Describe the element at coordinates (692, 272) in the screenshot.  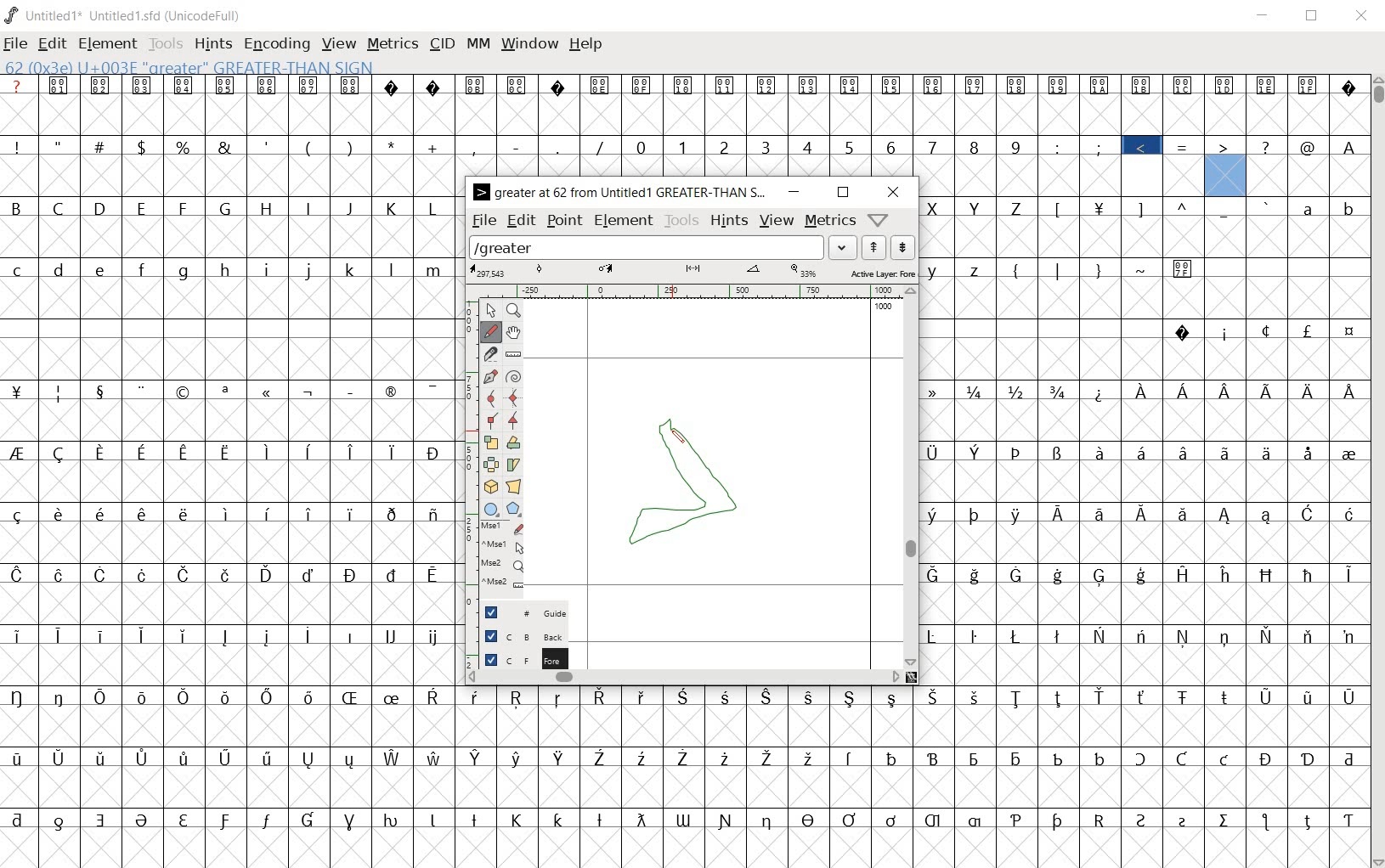
I see `active layer: foreground` at that location.